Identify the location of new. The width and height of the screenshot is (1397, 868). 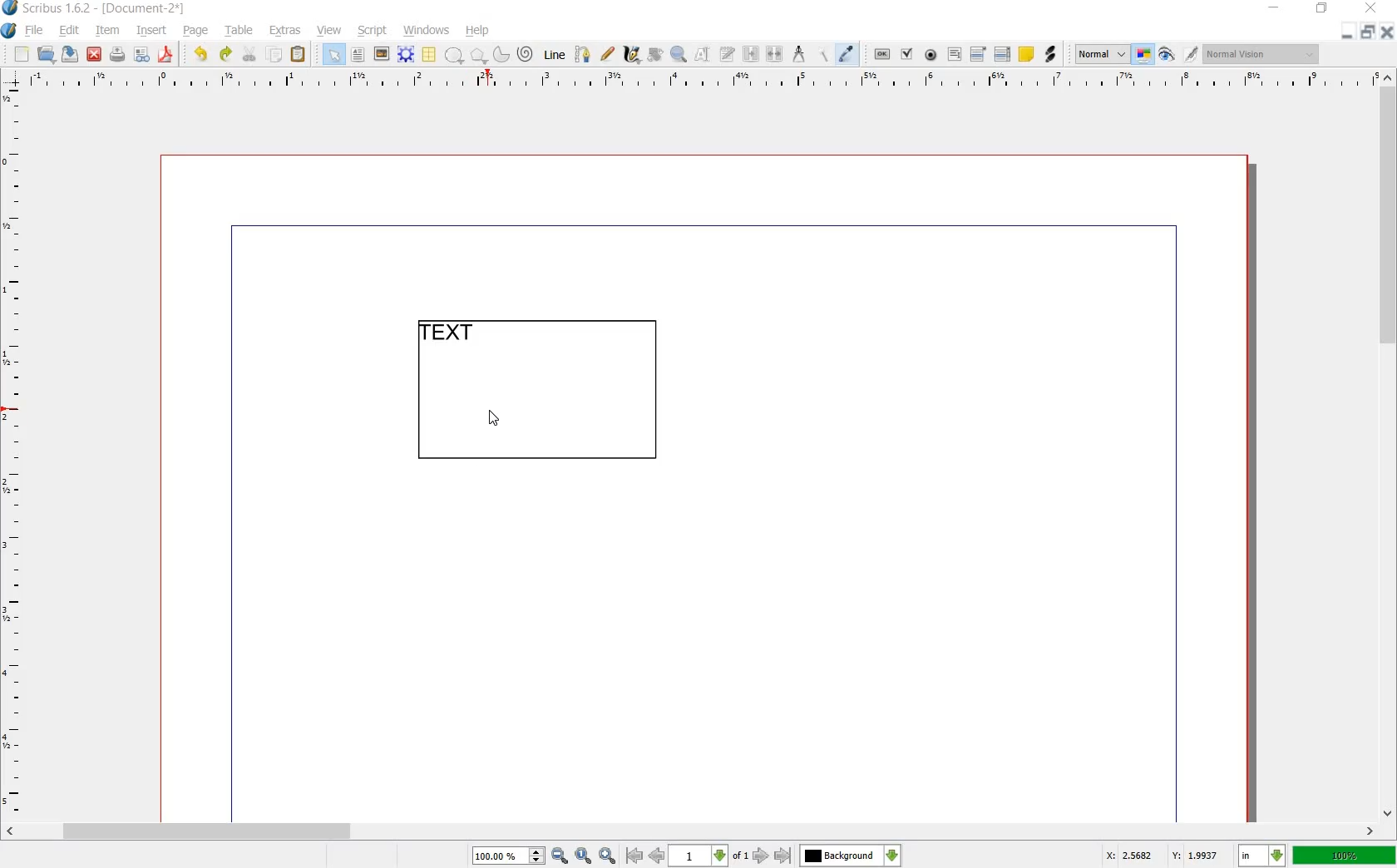
(22, 55).